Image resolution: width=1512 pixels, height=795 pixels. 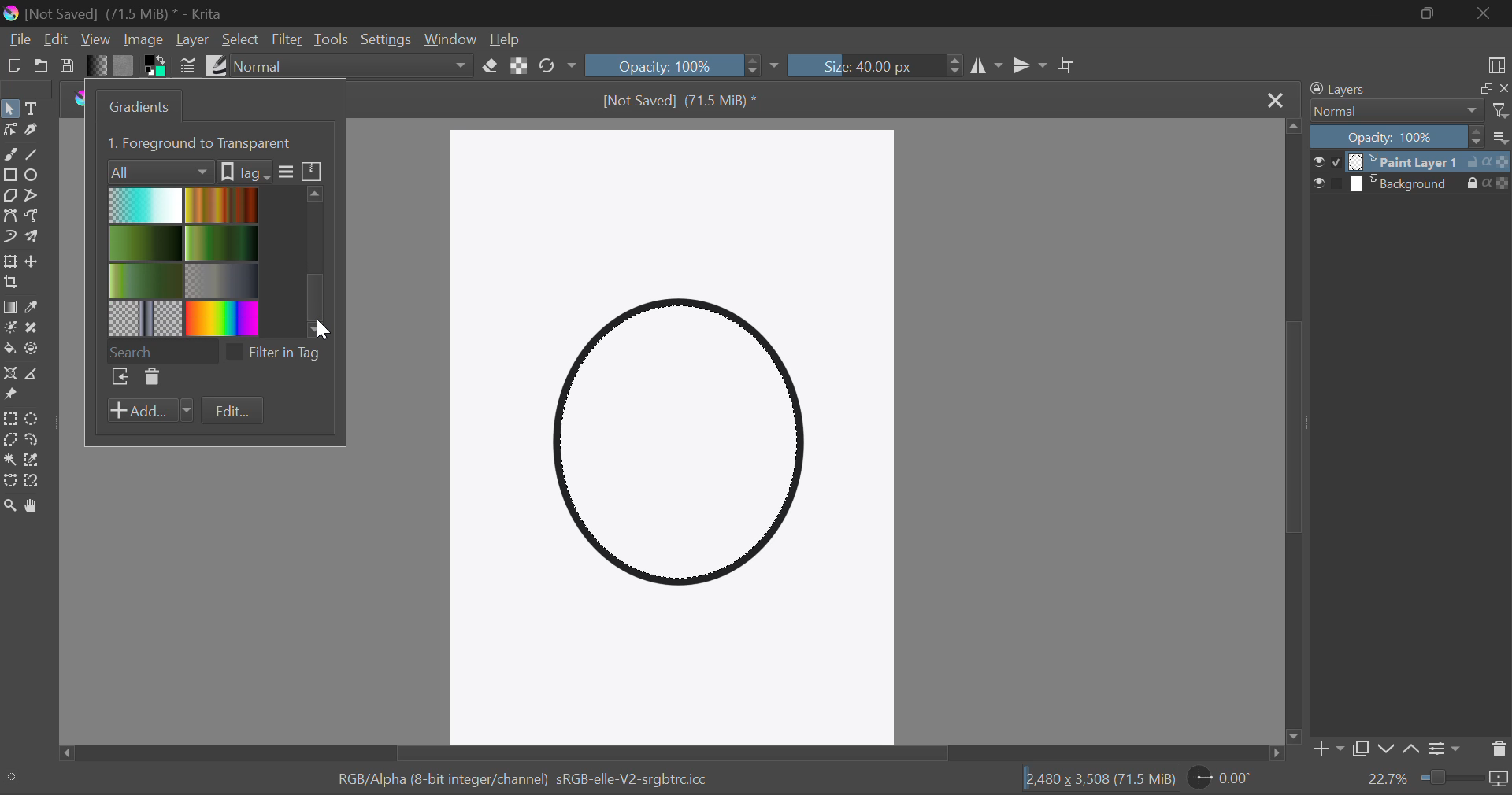 I want to click on Restore Down, so click(x=1374, y=14).